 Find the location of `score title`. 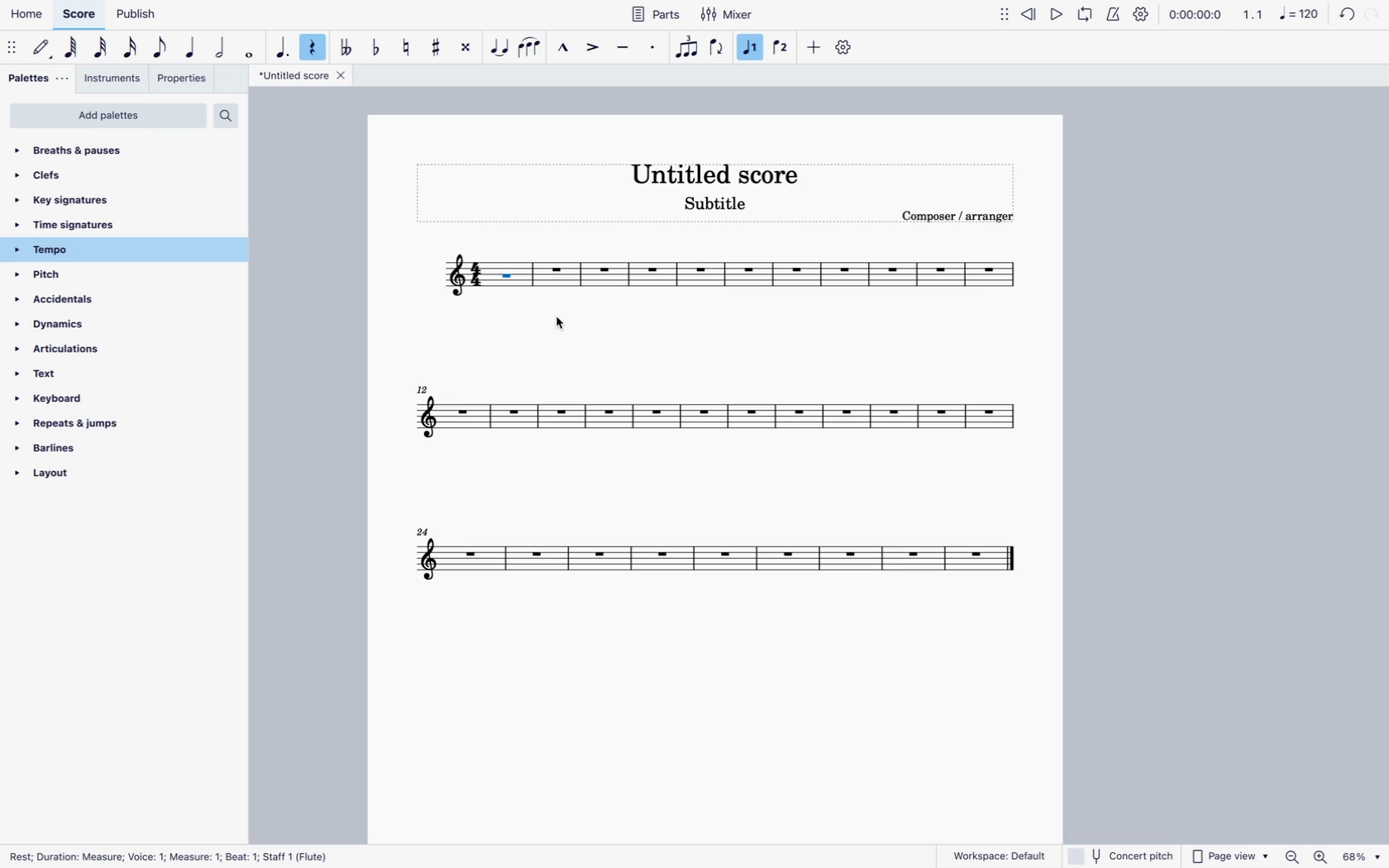

score title is located at coordinates (717, 173).